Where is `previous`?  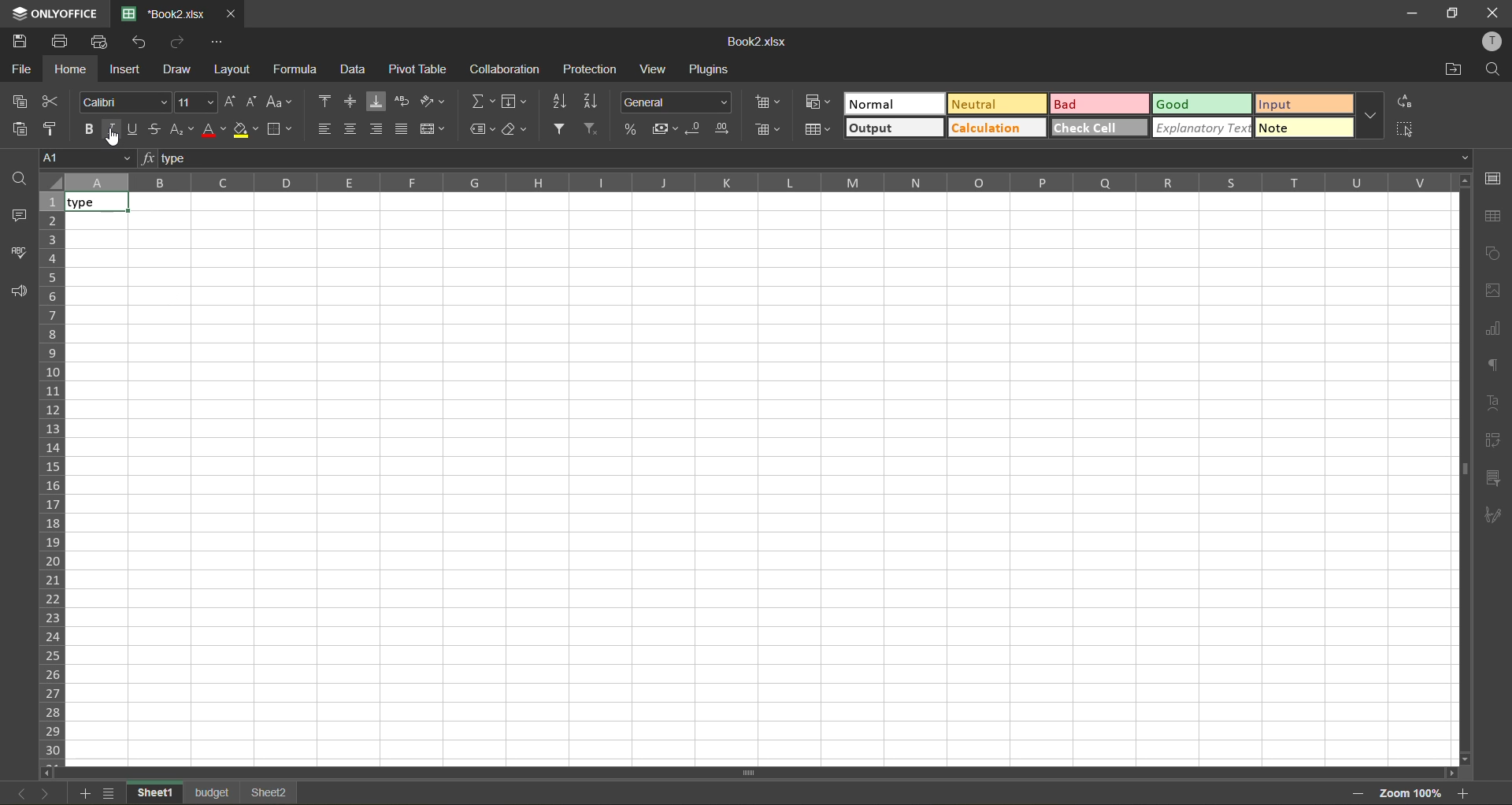 previous is located at coordinates (16, 796).